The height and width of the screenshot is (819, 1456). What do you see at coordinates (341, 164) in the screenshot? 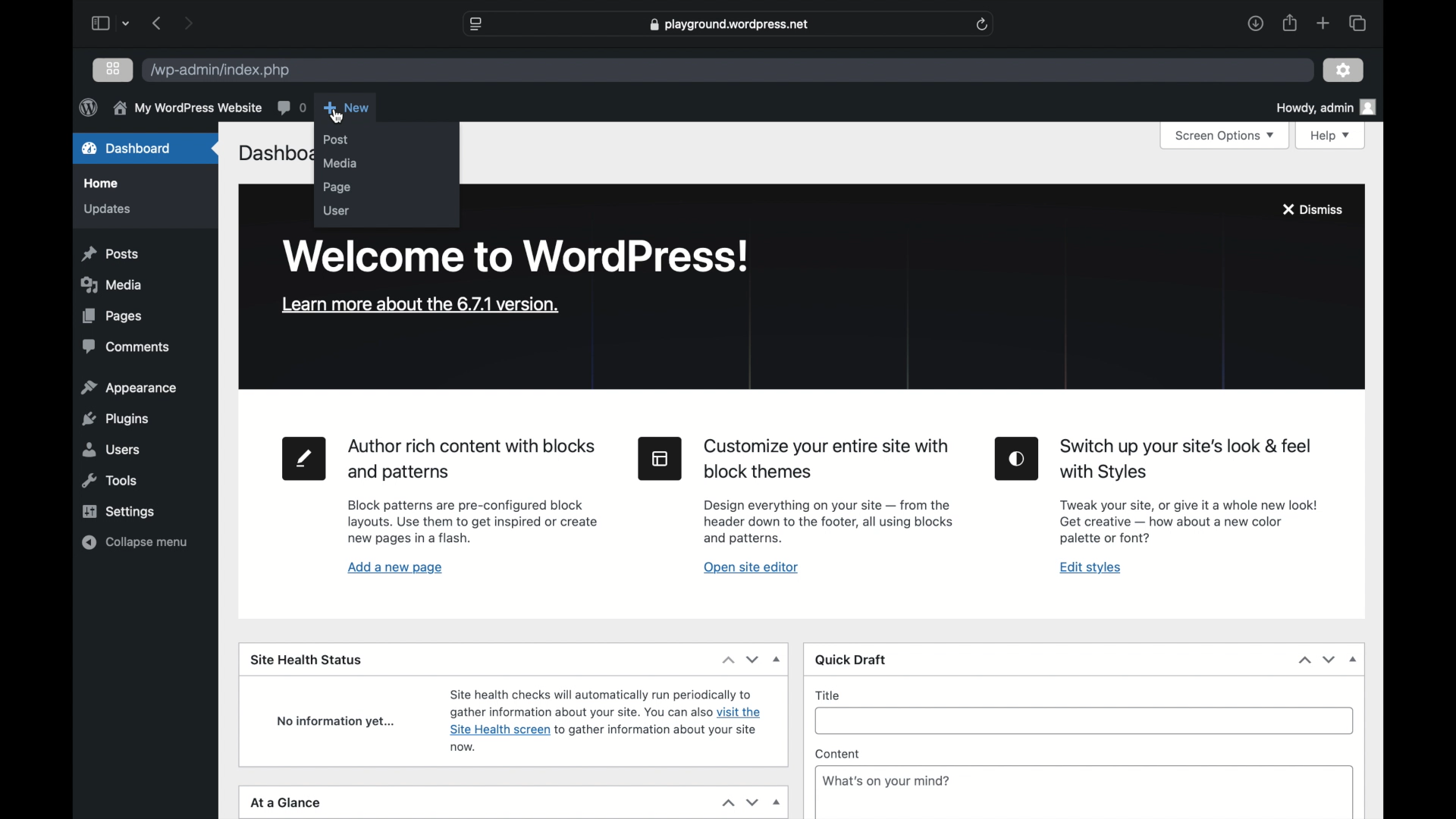
I see `media` at bounding box center [341, 164].